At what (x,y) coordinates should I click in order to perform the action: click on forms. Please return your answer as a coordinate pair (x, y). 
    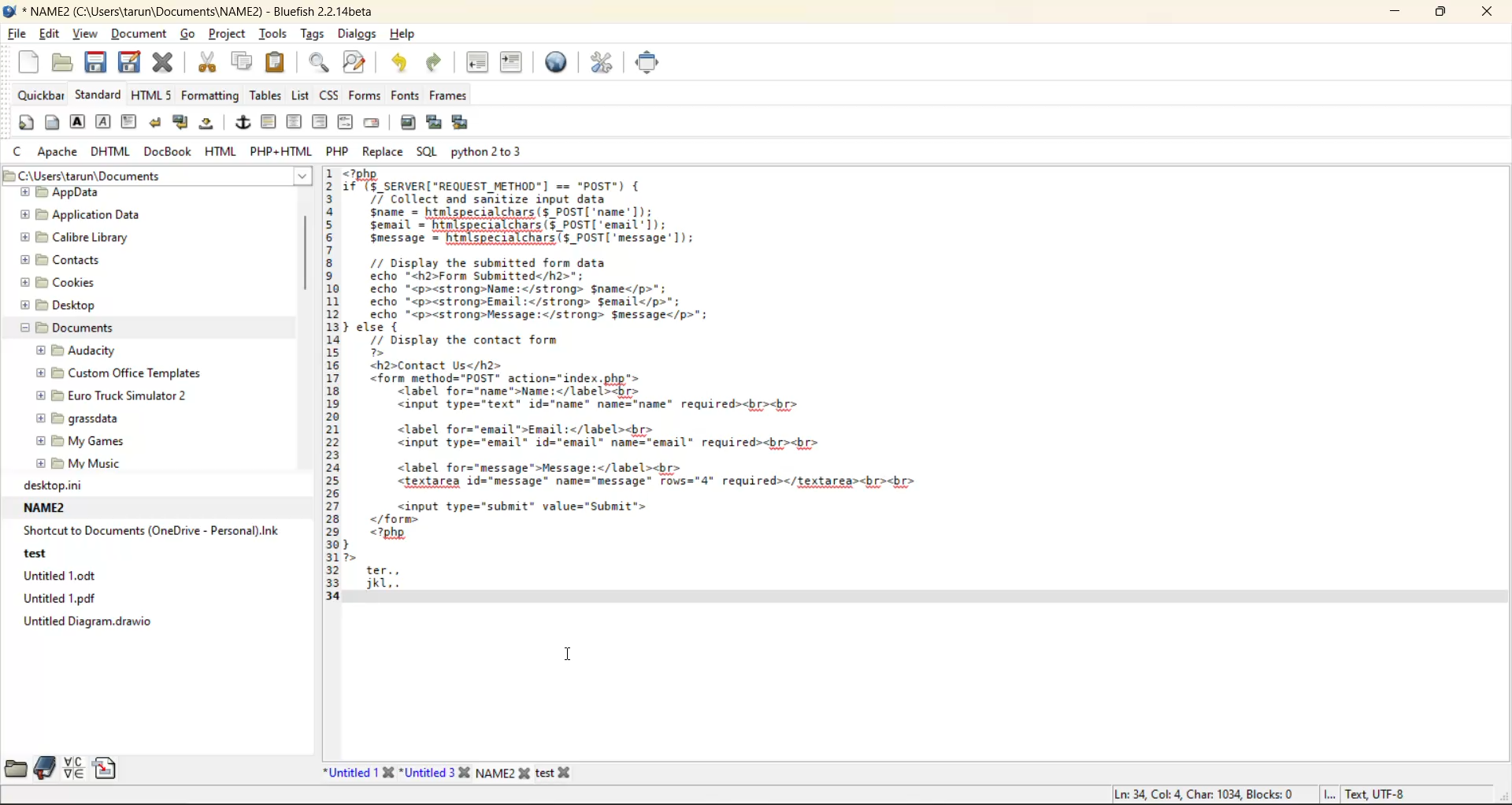
    Looking at the image, I should click on (366, 95).